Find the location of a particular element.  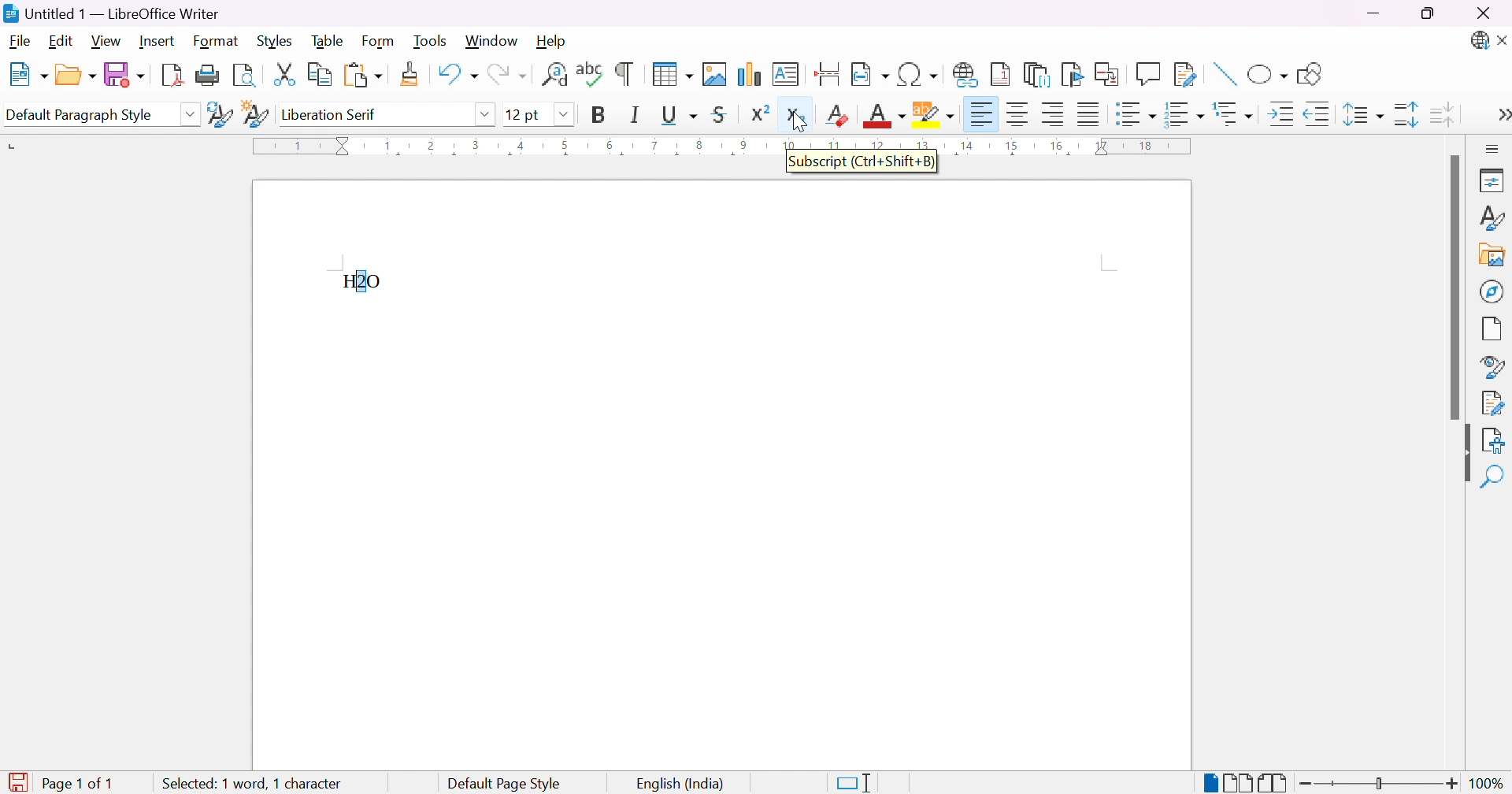

Redo is located at coordinates (506, 78).